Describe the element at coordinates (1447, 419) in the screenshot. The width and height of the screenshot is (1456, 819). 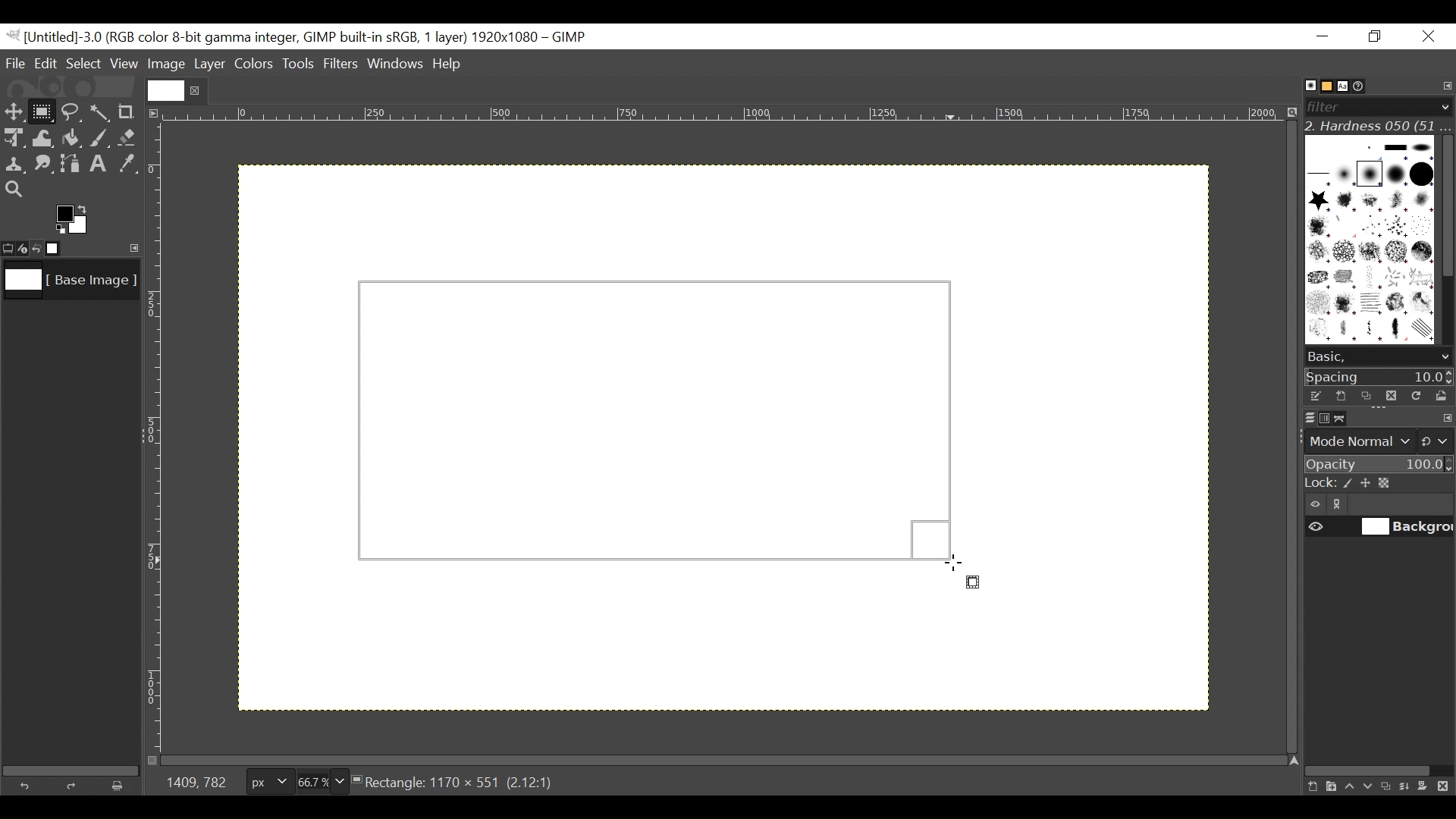
I see `configure this tab` at that location.